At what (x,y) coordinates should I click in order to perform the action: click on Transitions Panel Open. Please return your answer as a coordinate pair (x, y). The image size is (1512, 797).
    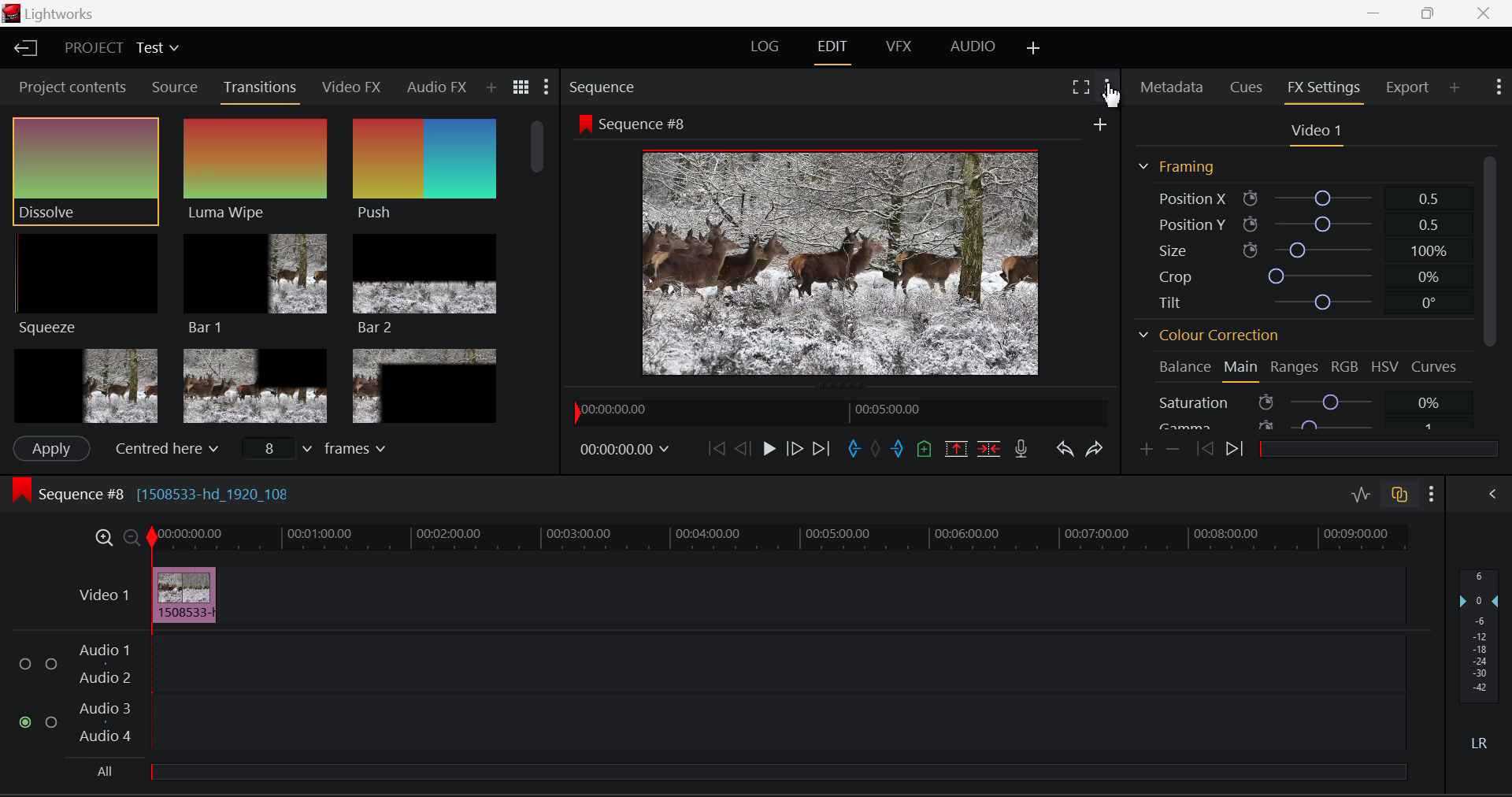
    Looking at the image, I should click on (263, 88).